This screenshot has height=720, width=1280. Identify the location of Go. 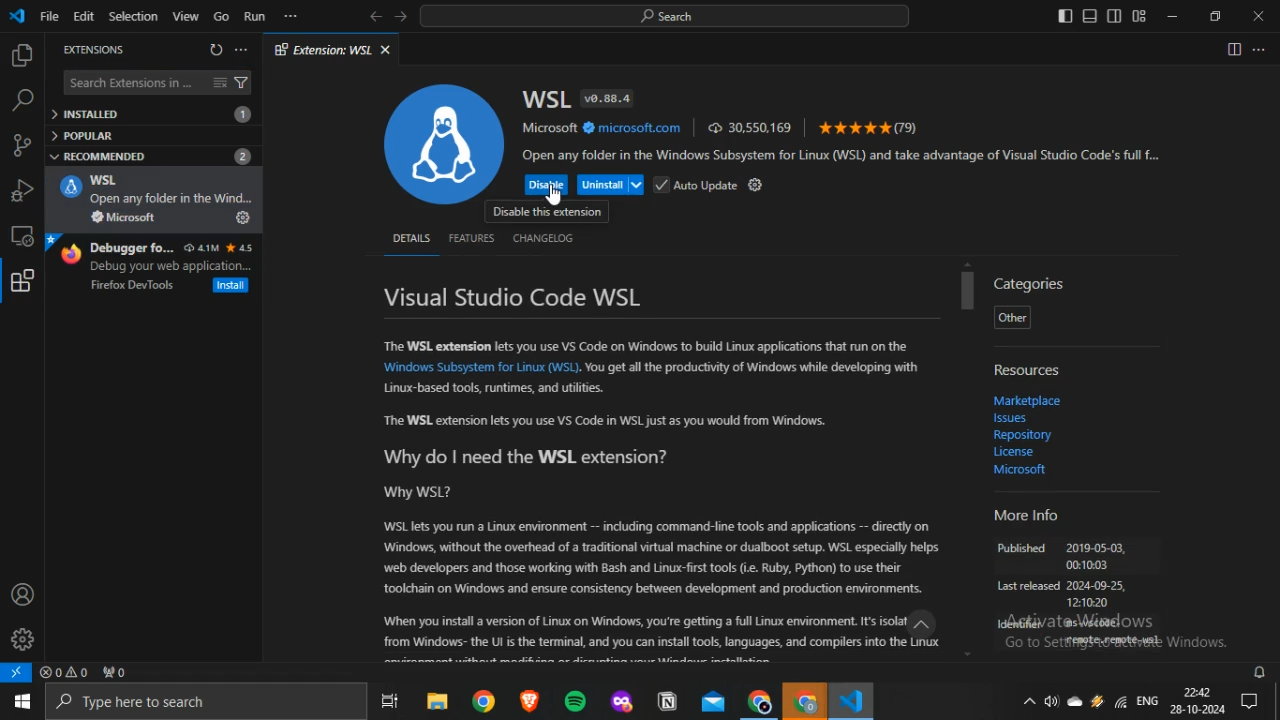
(221, 16).